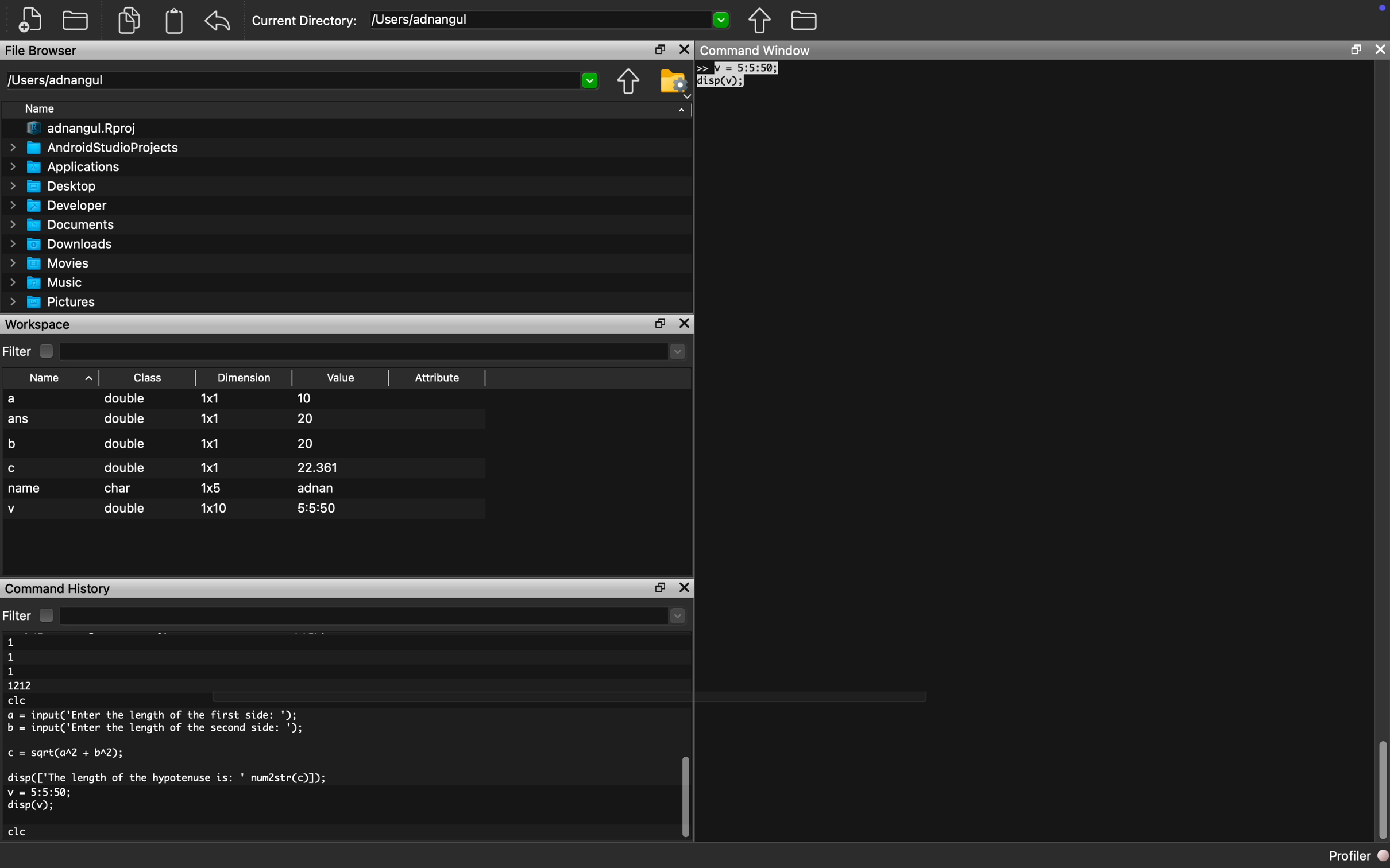  I want to click on icon, so click(1383, 7).